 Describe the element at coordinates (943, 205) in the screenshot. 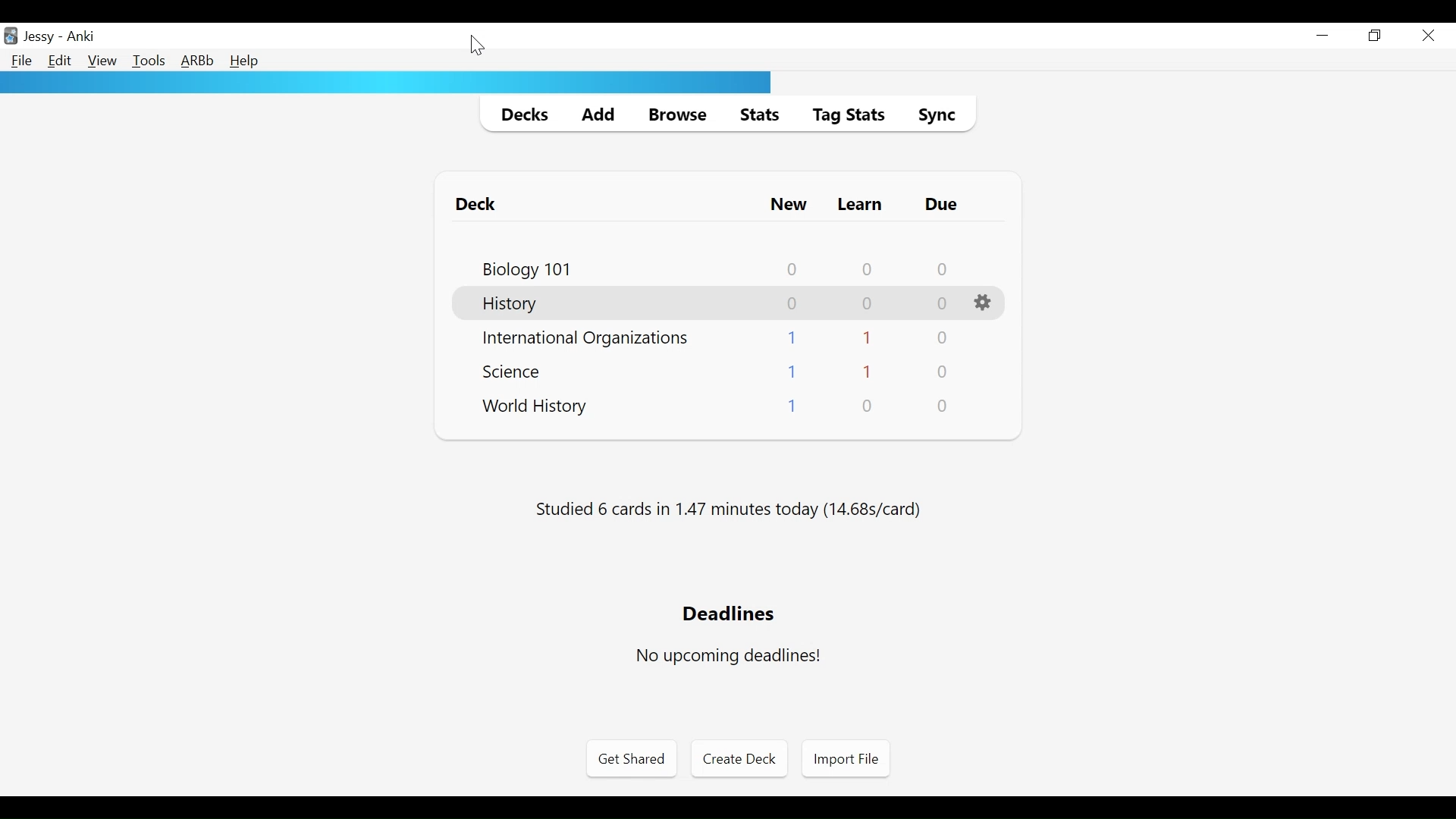

I see `Due` at that location.